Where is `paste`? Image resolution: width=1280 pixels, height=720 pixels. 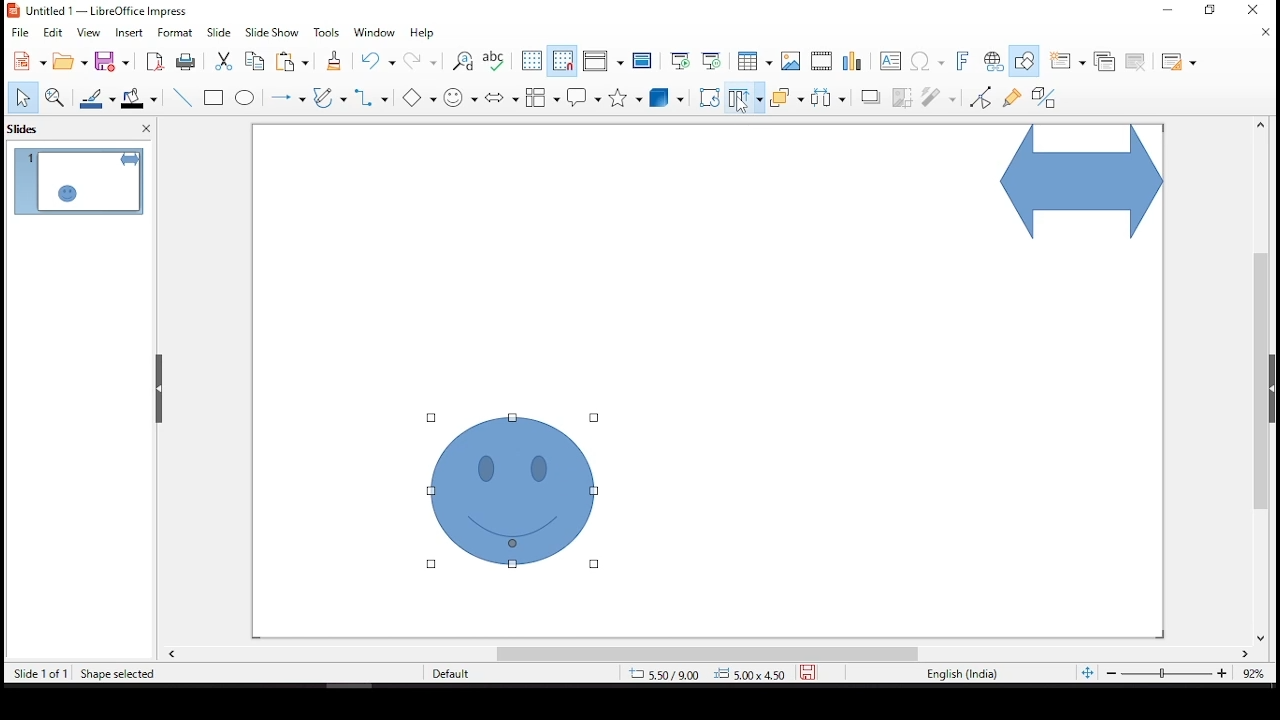
paste is located at coordinates (296, 61).